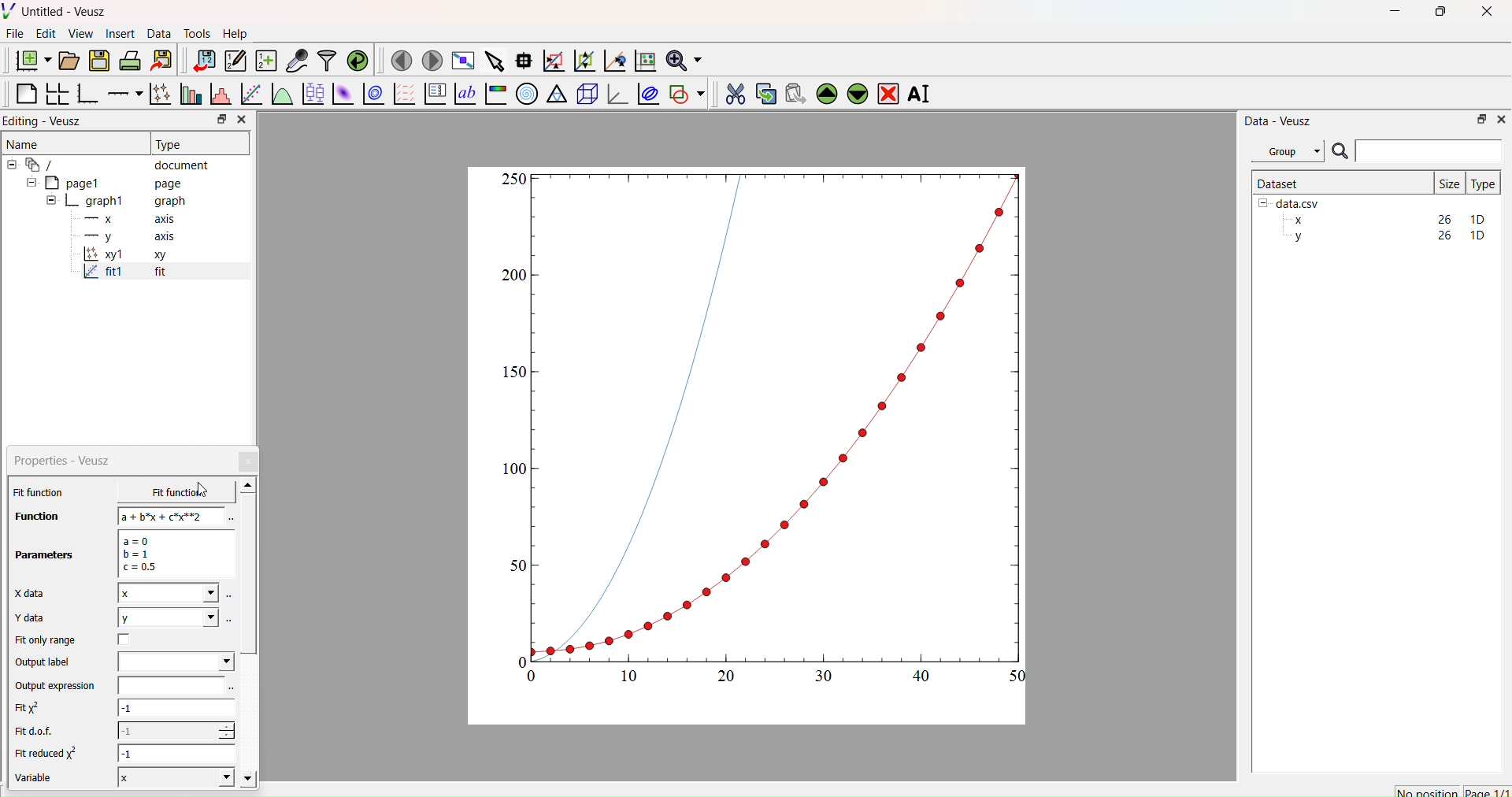  What do you see at coordinates (683, 58) in the screenshot?
I see `Zoom functions menu` at bounding box center [683, 58].